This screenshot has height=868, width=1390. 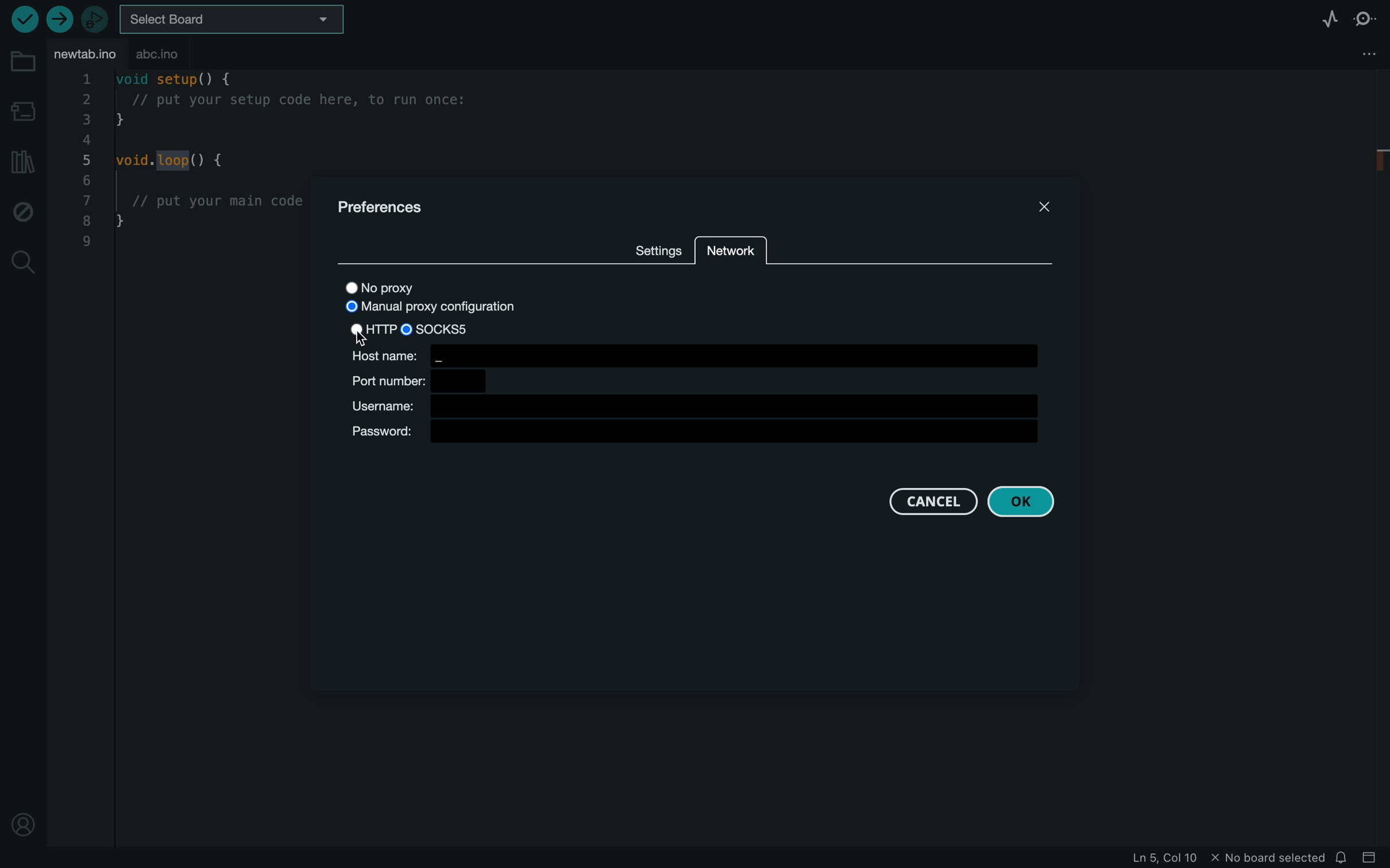 What do you see at coordinates (1344, 858) in the screenshot?
I see `notification` at bounding box center [1344, 858].